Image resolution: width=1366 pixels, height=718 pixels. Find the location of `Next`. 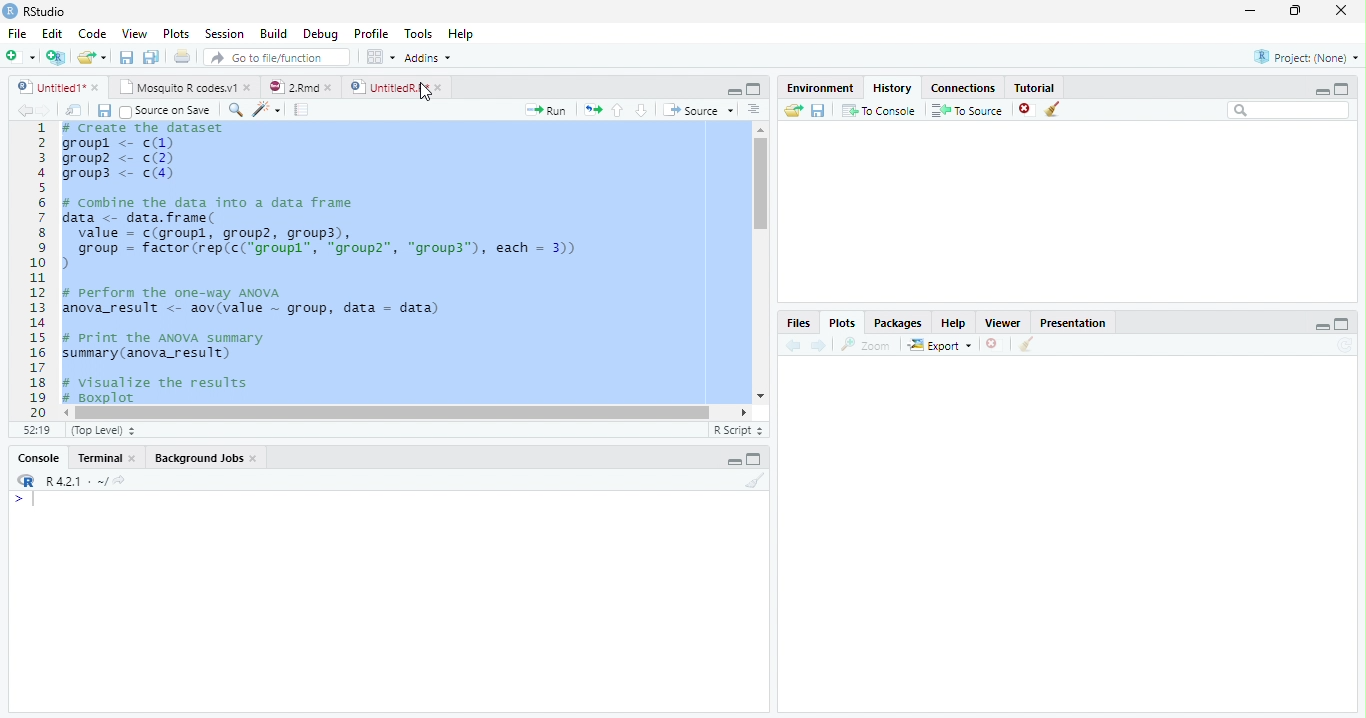

Next is located at coordinates (50, 111).